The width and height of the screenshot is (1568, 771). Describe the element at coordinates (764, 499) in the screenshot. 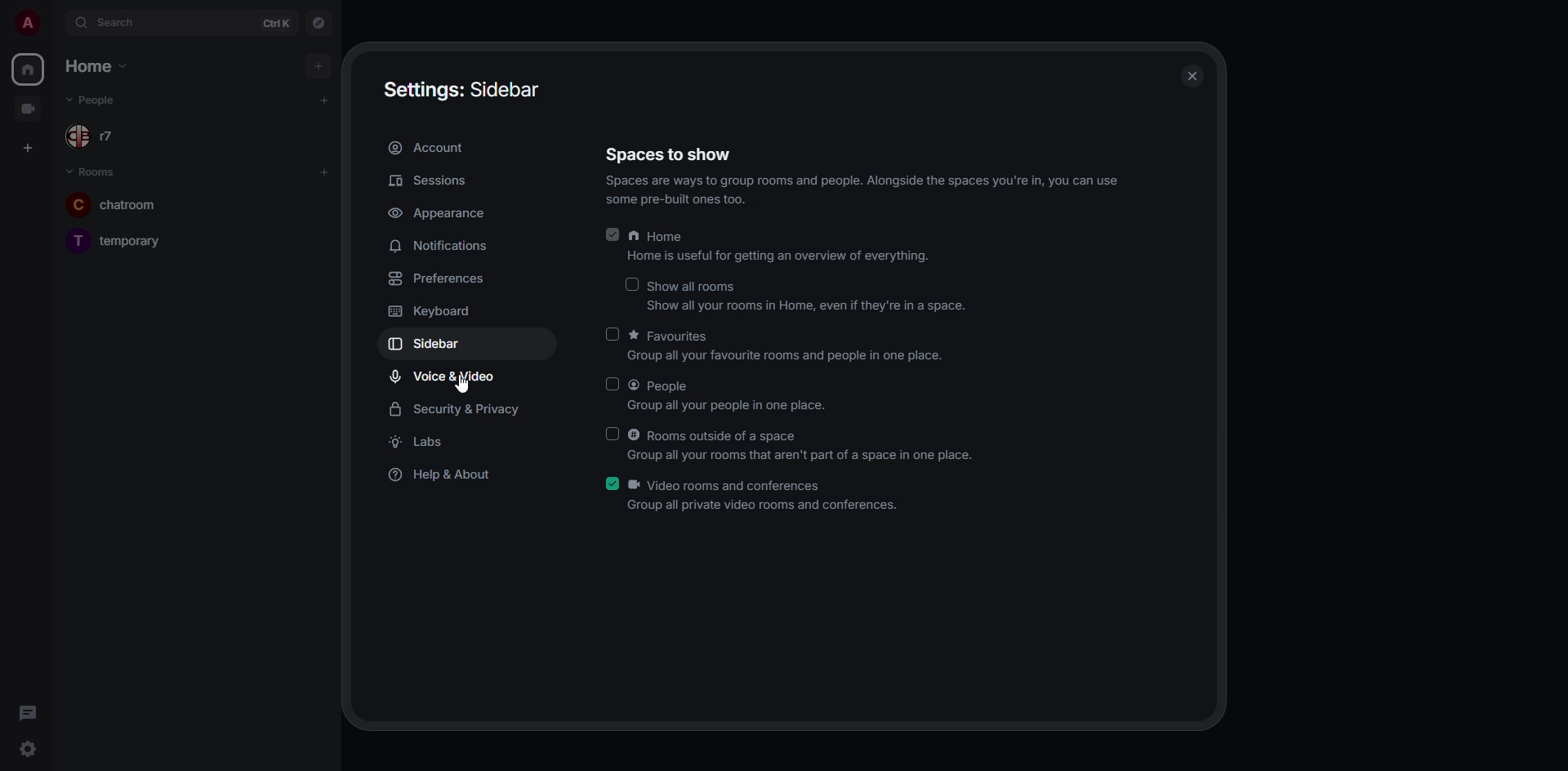

I see `video rooms and conferences` at that location.